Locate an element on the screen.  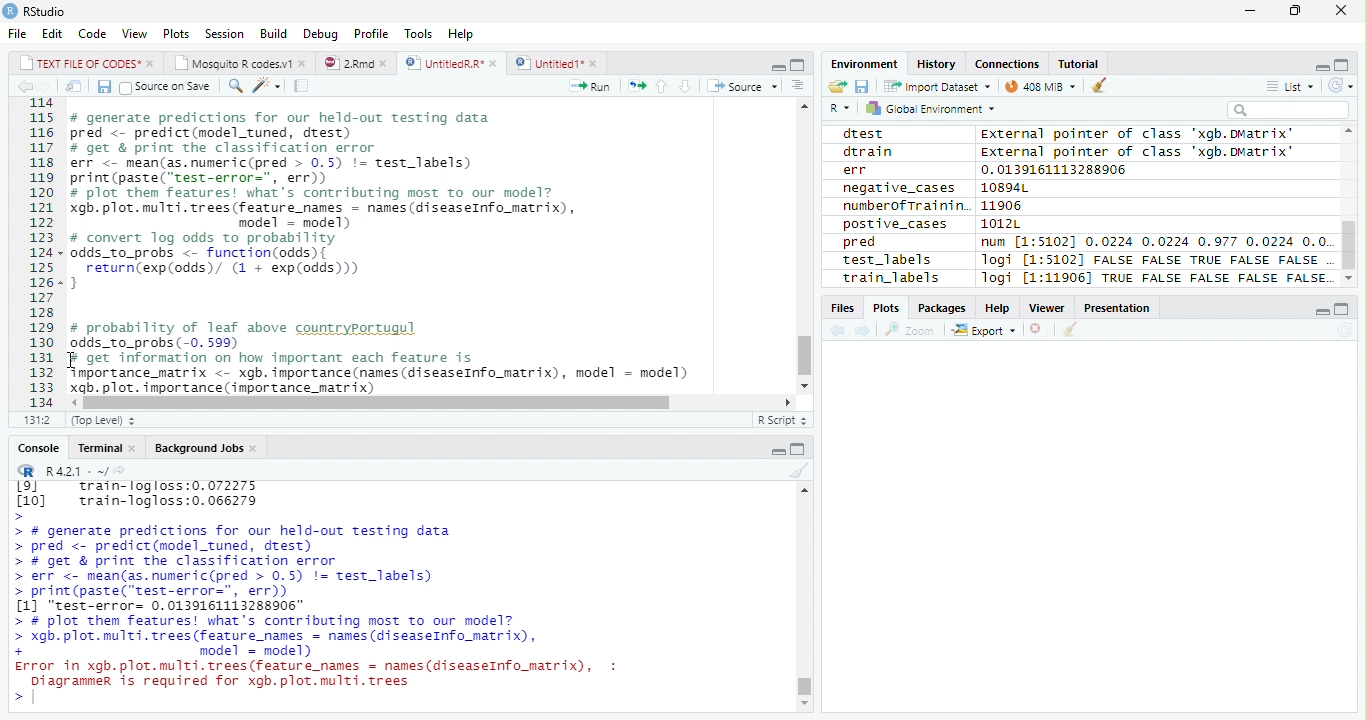
R Script is located at coordinates (783, 418).